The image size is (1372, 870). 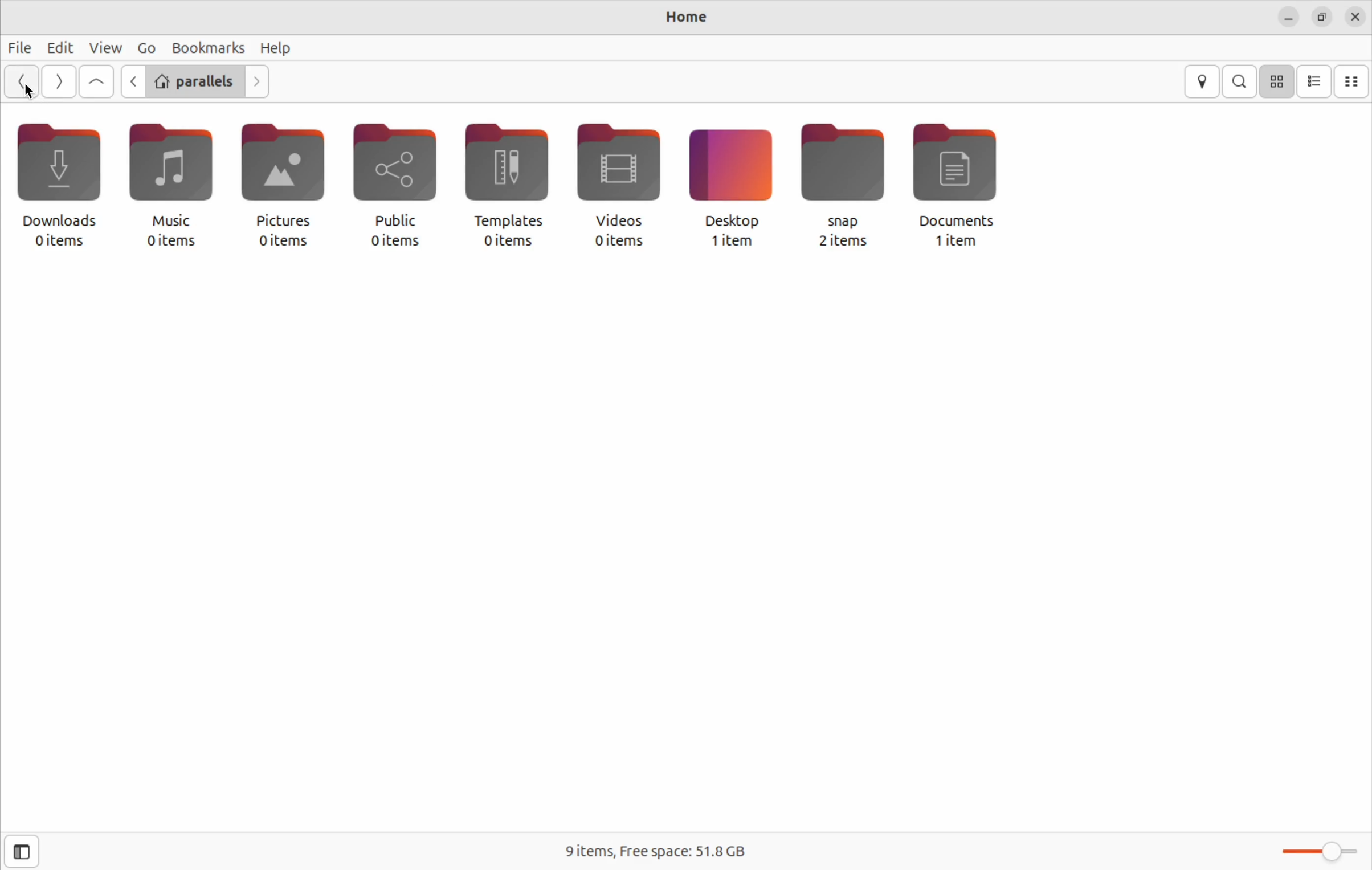 I want to click on Go back ward, so click(x=22, y=81).